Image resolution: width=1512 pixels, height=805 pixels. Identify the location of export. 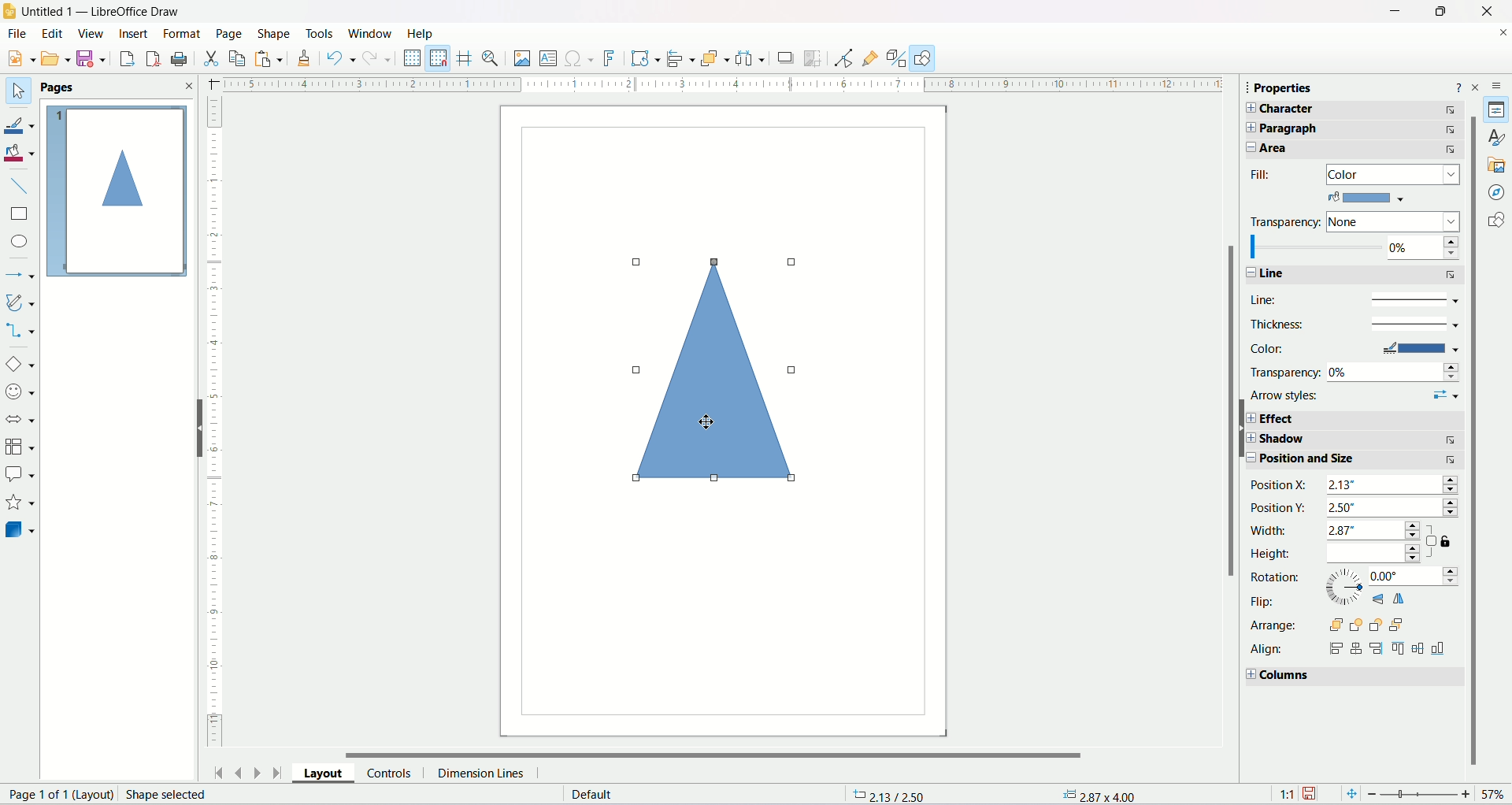
(125, 58).